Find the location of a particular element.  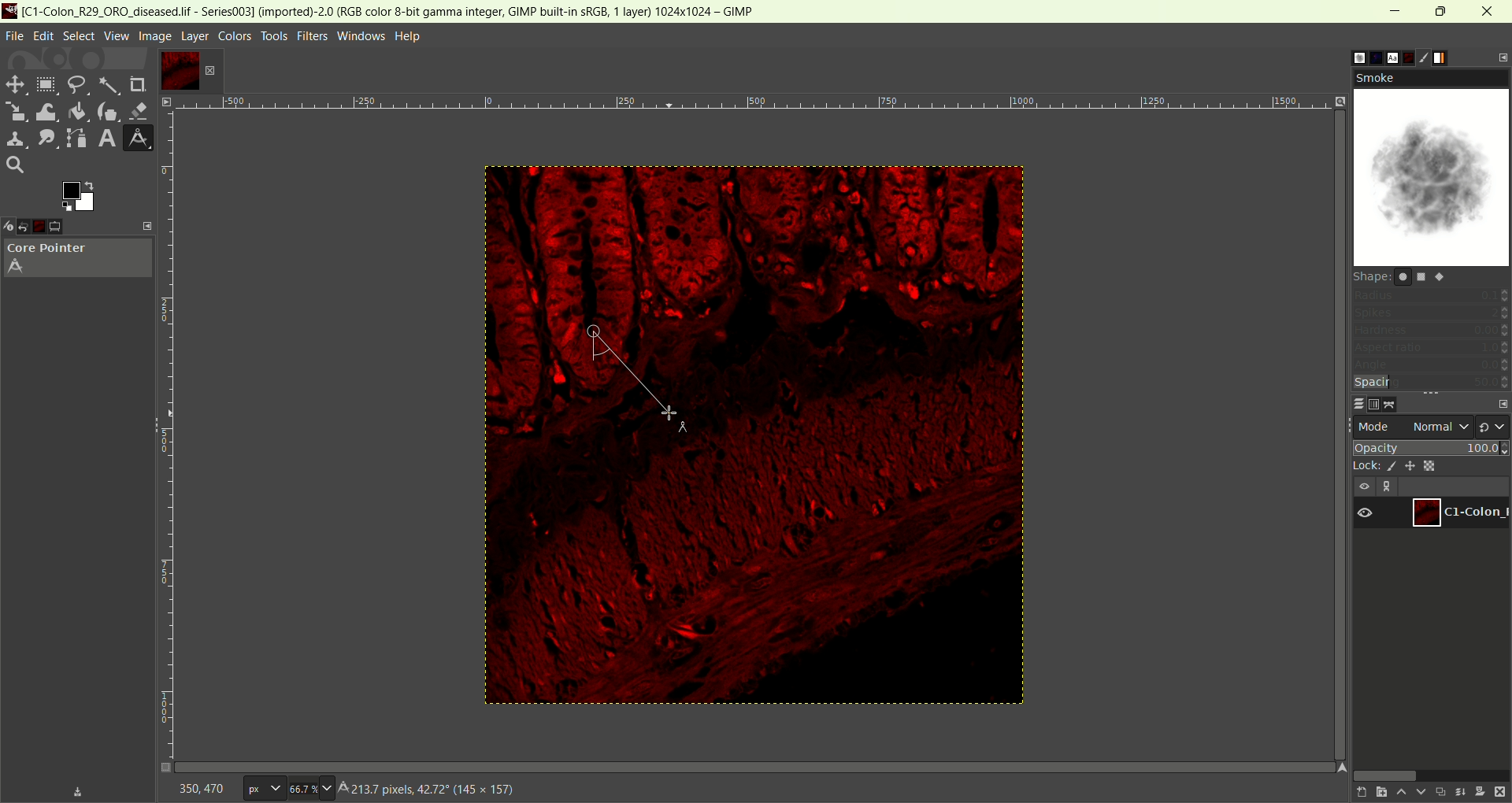

close is located at coordinates (1489, 11).